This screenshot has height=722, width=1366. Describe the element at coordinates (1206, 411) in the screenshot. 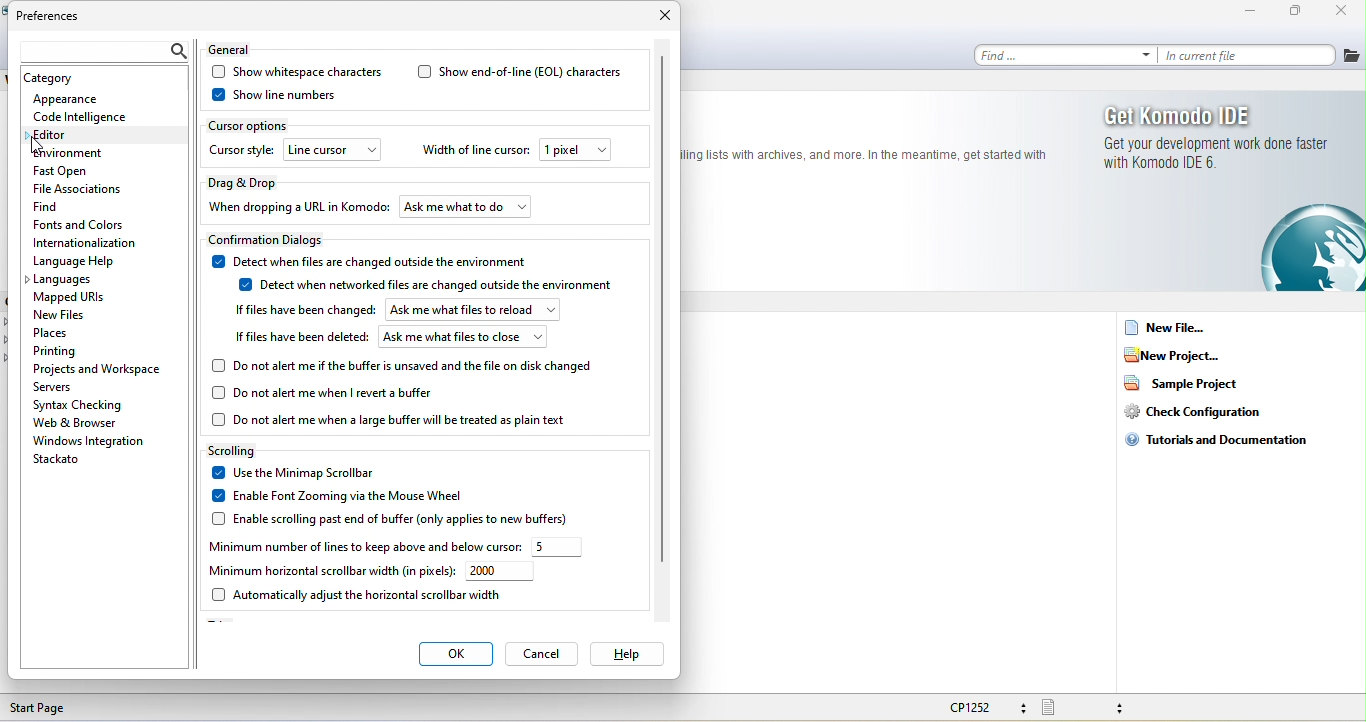

I see `check configuration` at that location.